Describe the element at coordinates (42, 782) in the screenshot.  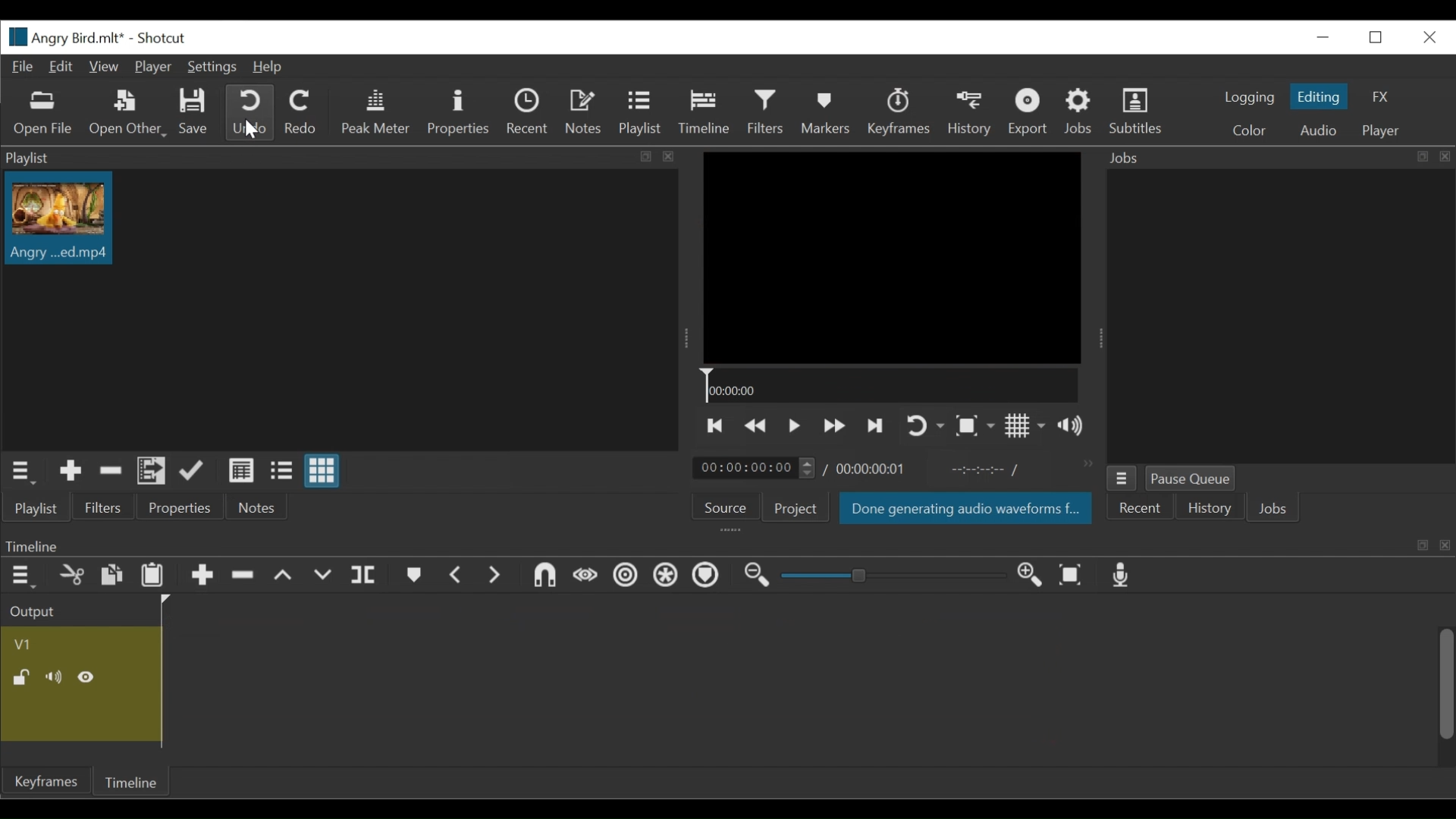
I see `Keyframe` at that location.